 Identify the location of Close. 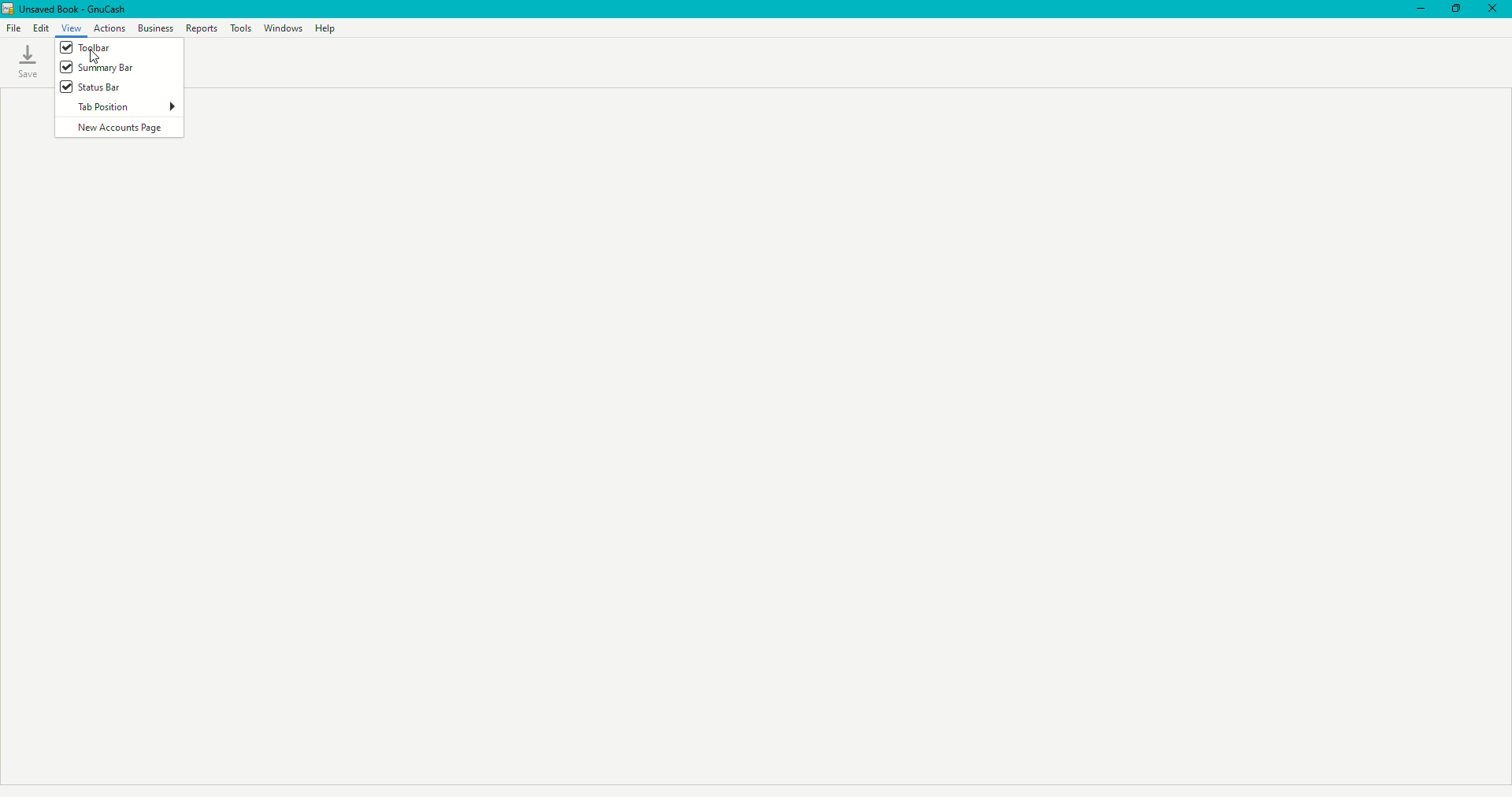
(1495, 9).